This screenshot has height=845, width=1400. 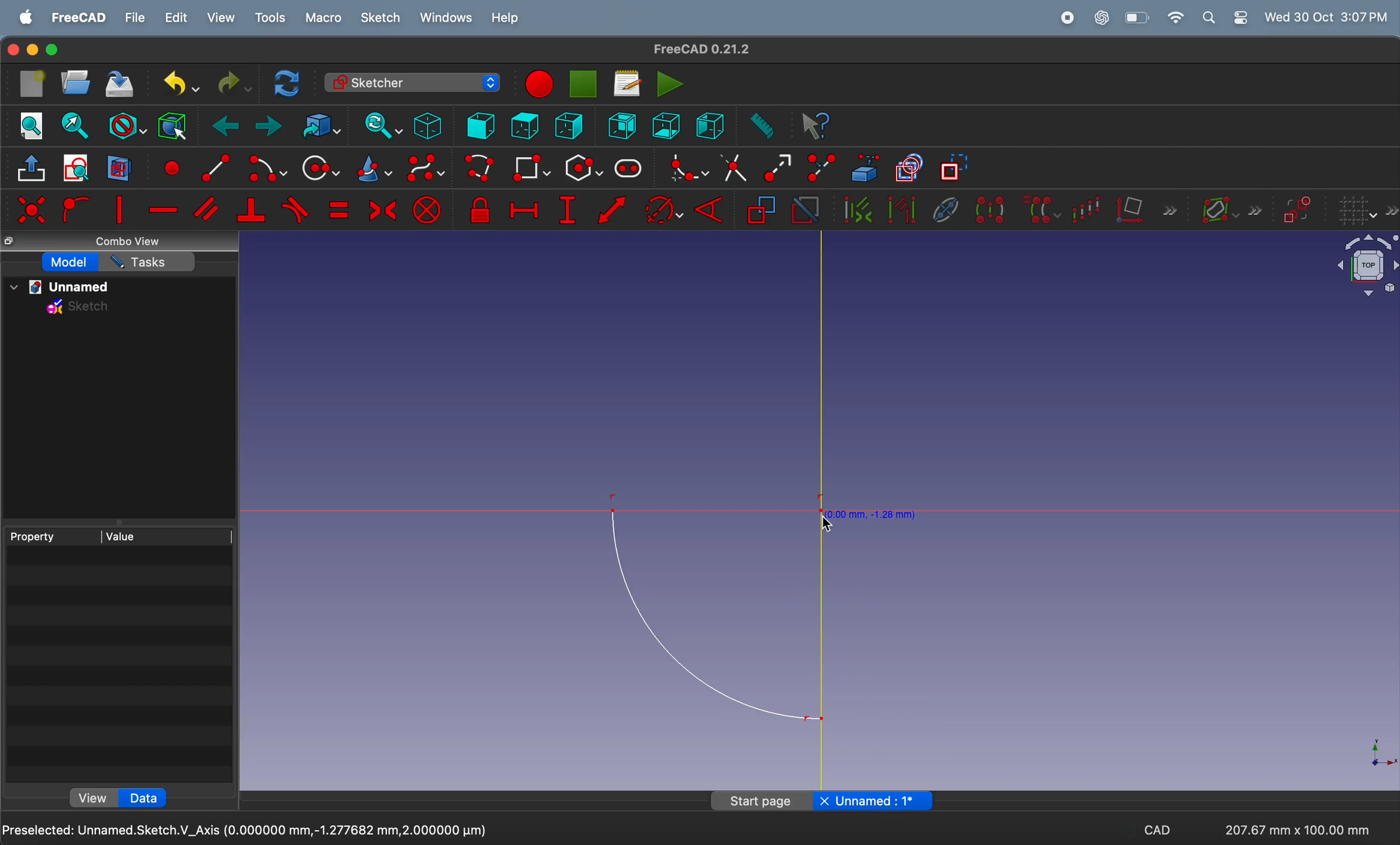 What do you see at coordinates (269, 128) in the screenshot?
I see `forward ` at bounding box center [269, 128].